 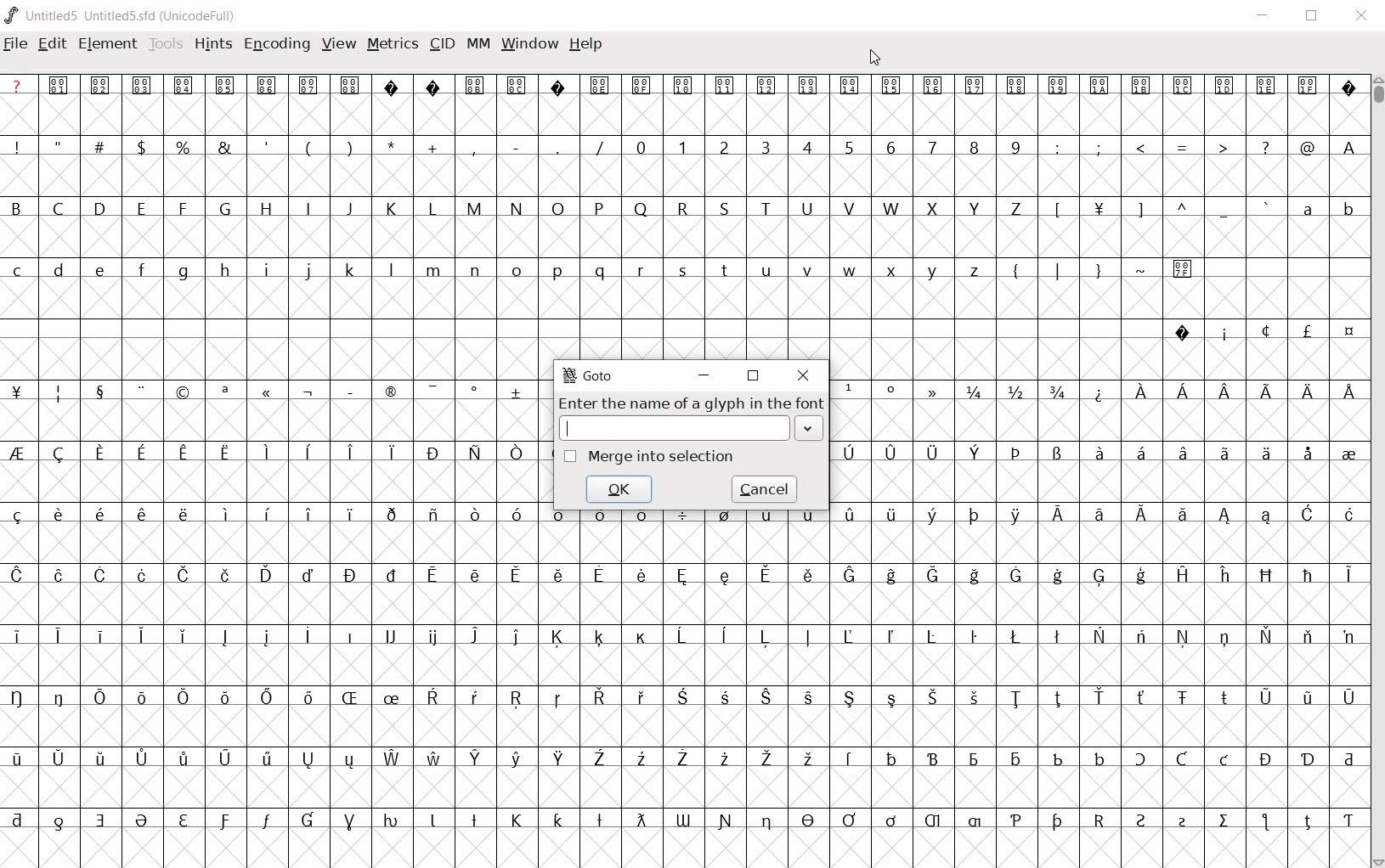 What do you see at coordinates (1225, 760) in the screenshot?
I see `Symbol` at bounding box center [1225, 760].